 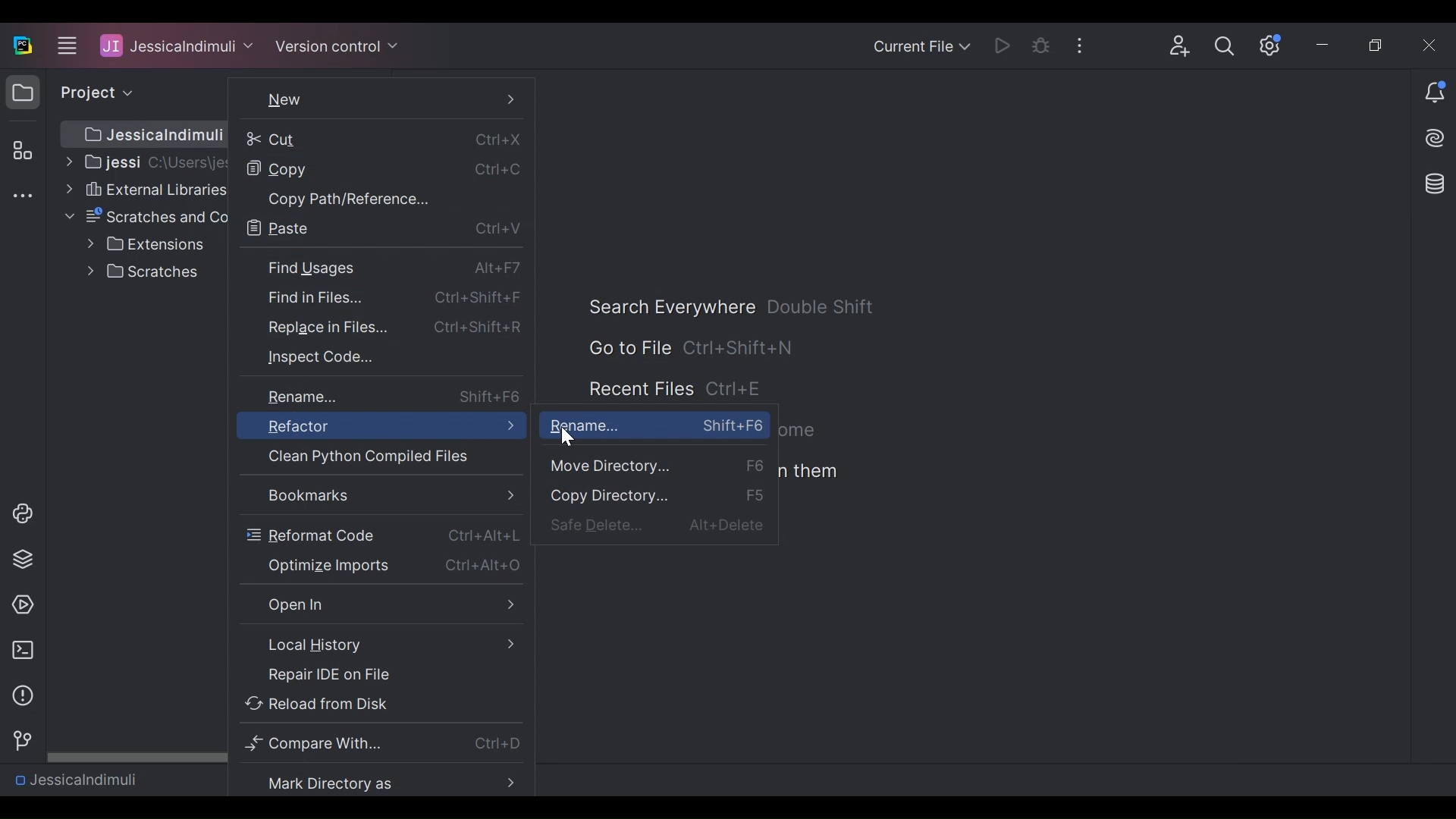 I want to click on Search, so click(x=1225, y=46).